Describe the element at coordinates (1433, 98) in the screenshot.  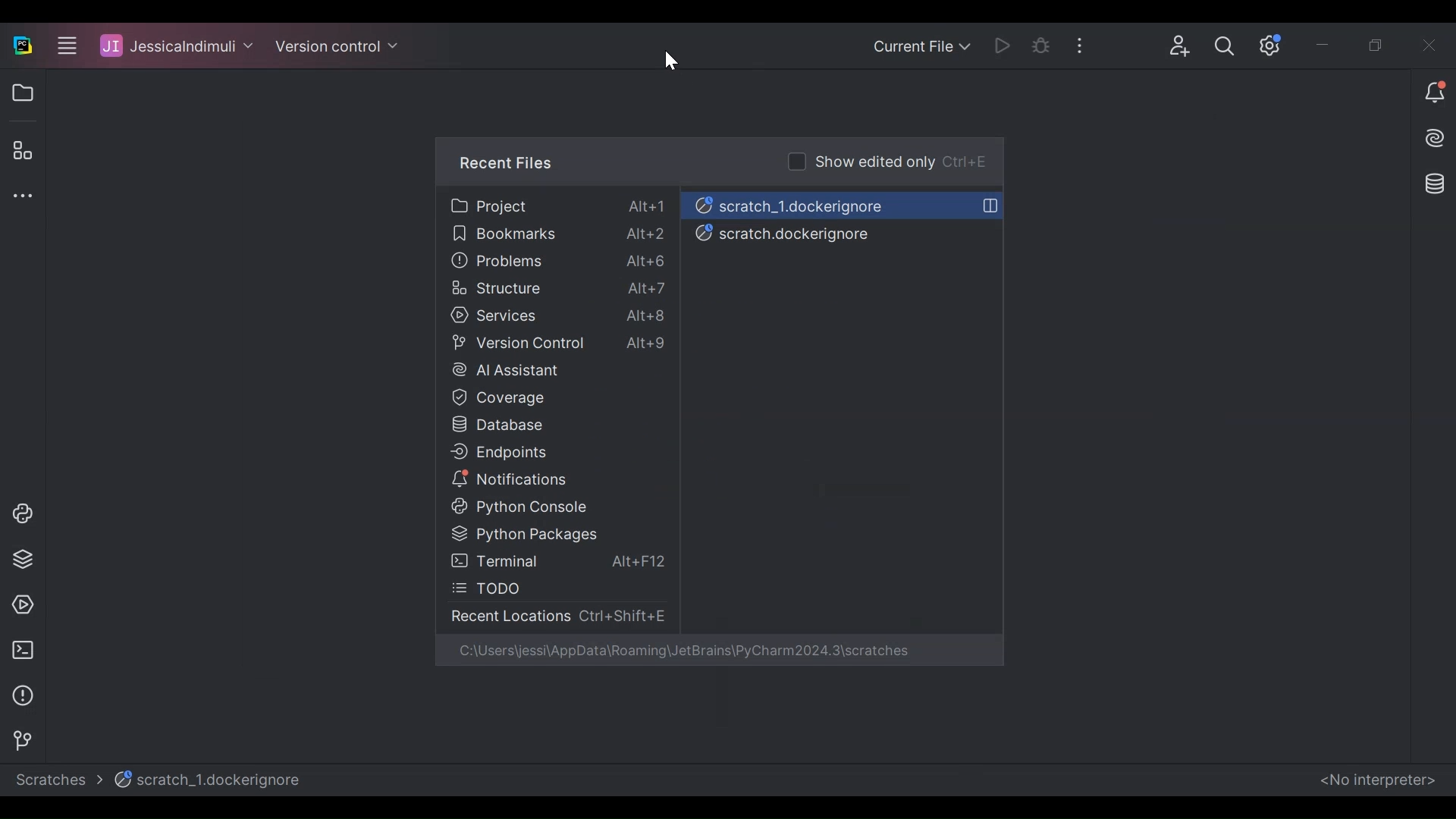
I see `Notifications` at that location.